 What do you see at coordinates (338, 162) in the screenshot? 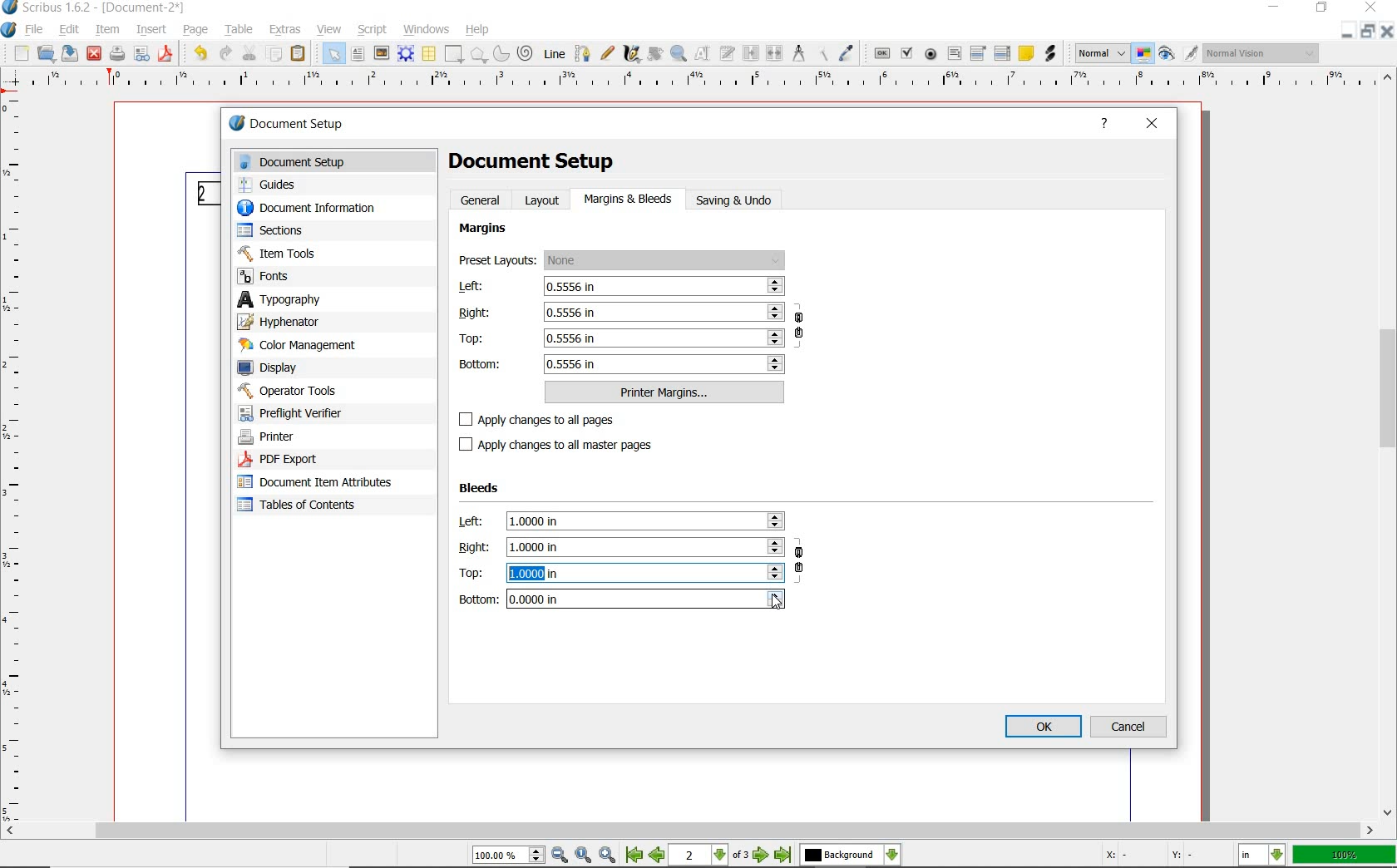
I see `document setup` at bounding box center [338, 162].